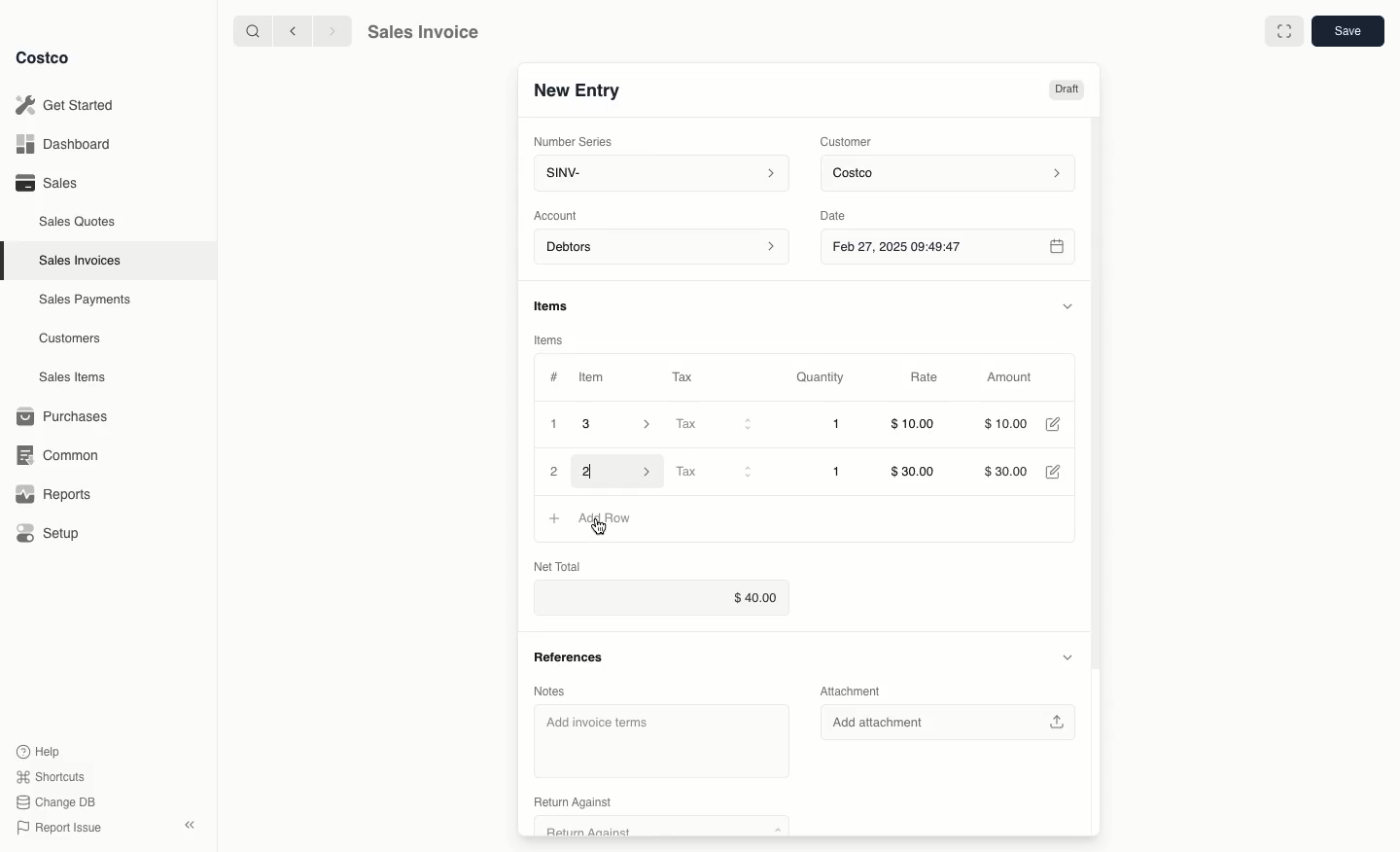  What do you see at coordinates (951, 174) in the screenshot?
I see `Costco` at bounding box center [951, 174].